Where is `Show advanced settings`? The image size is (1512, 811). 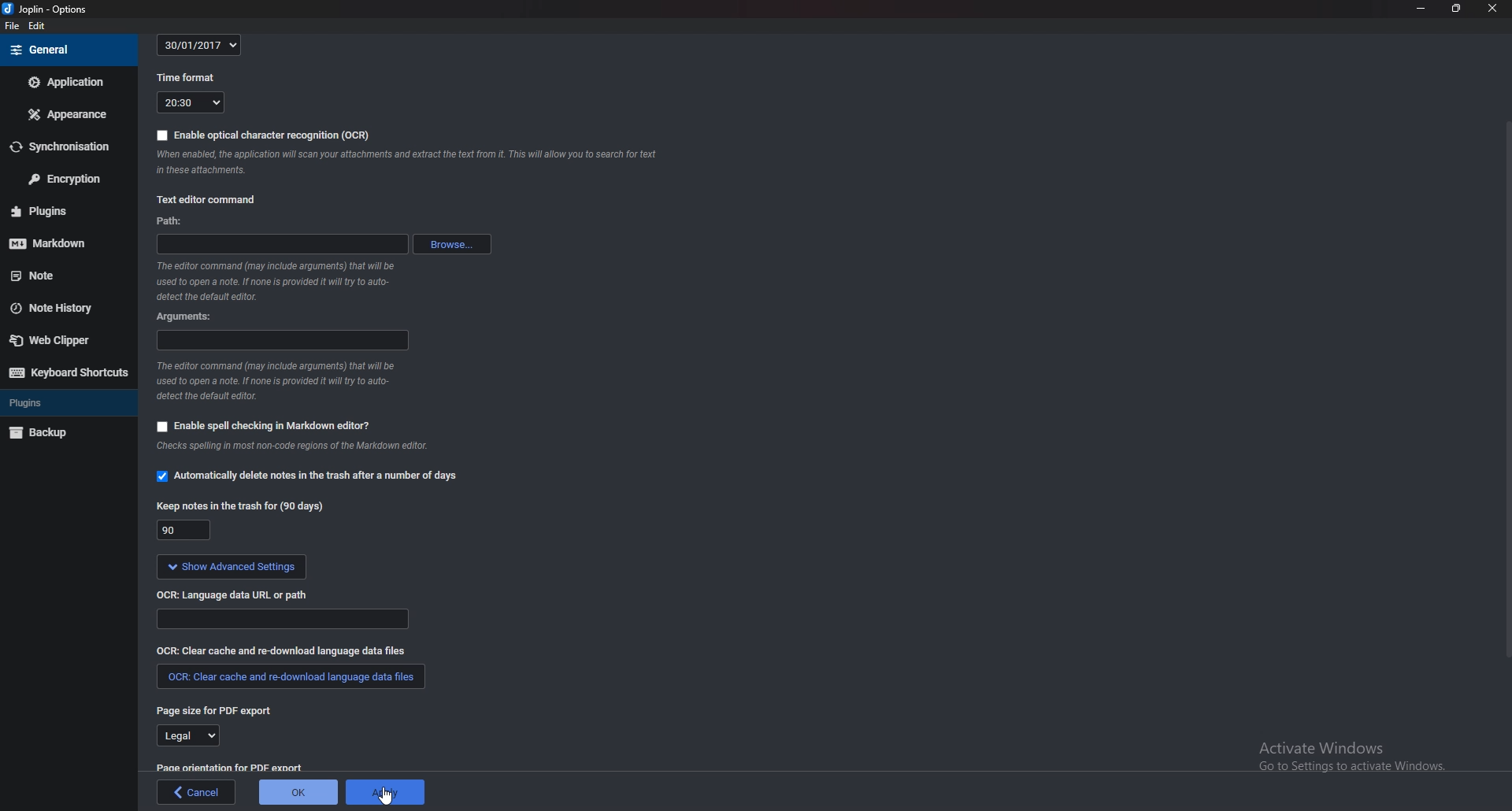 Show advanced settings is located at coordinates (232, 568).